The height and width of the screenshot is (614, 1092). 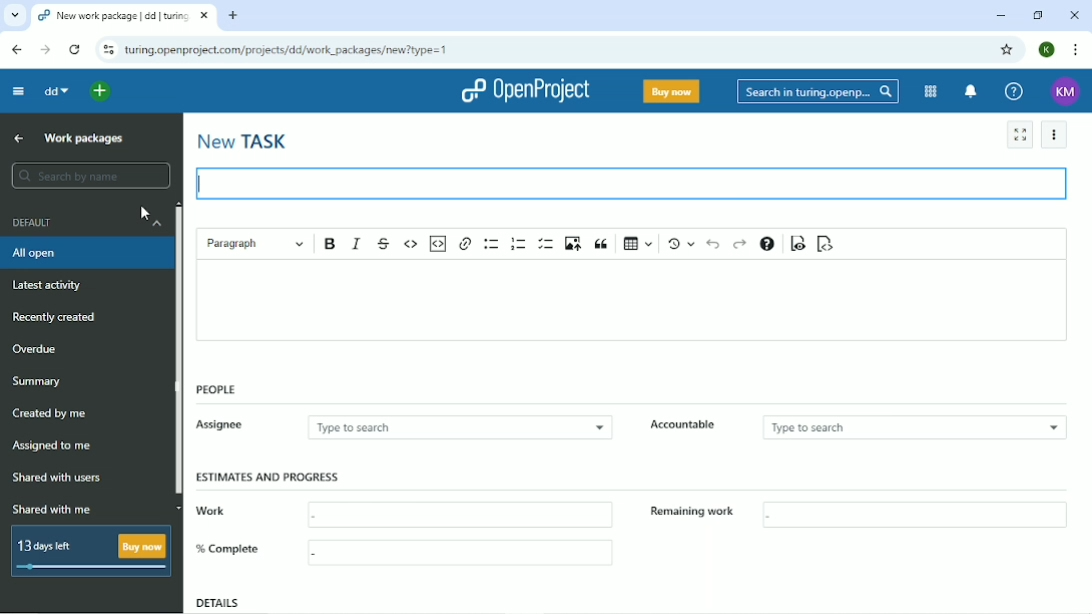 What do you see at coordinates (108, 90) in the screenshot?
I see `Open quick add menu` at bounding box center [108, 90].